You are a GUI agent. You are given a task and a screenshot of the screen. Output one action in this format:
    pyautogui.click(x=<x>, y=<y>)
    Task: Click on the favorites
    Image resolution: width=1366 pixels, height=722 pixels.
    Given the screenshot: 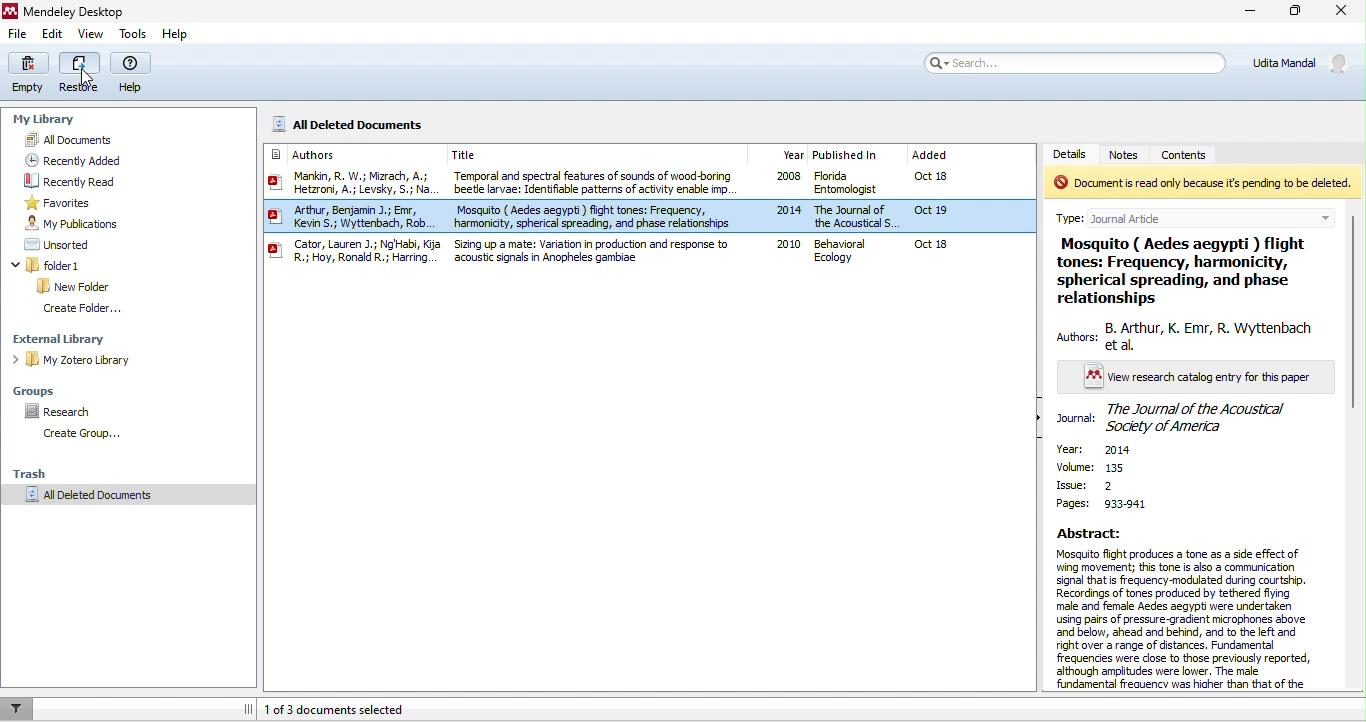 What is the action you would take?
    pyautogui.click(x=59, y=203)
    